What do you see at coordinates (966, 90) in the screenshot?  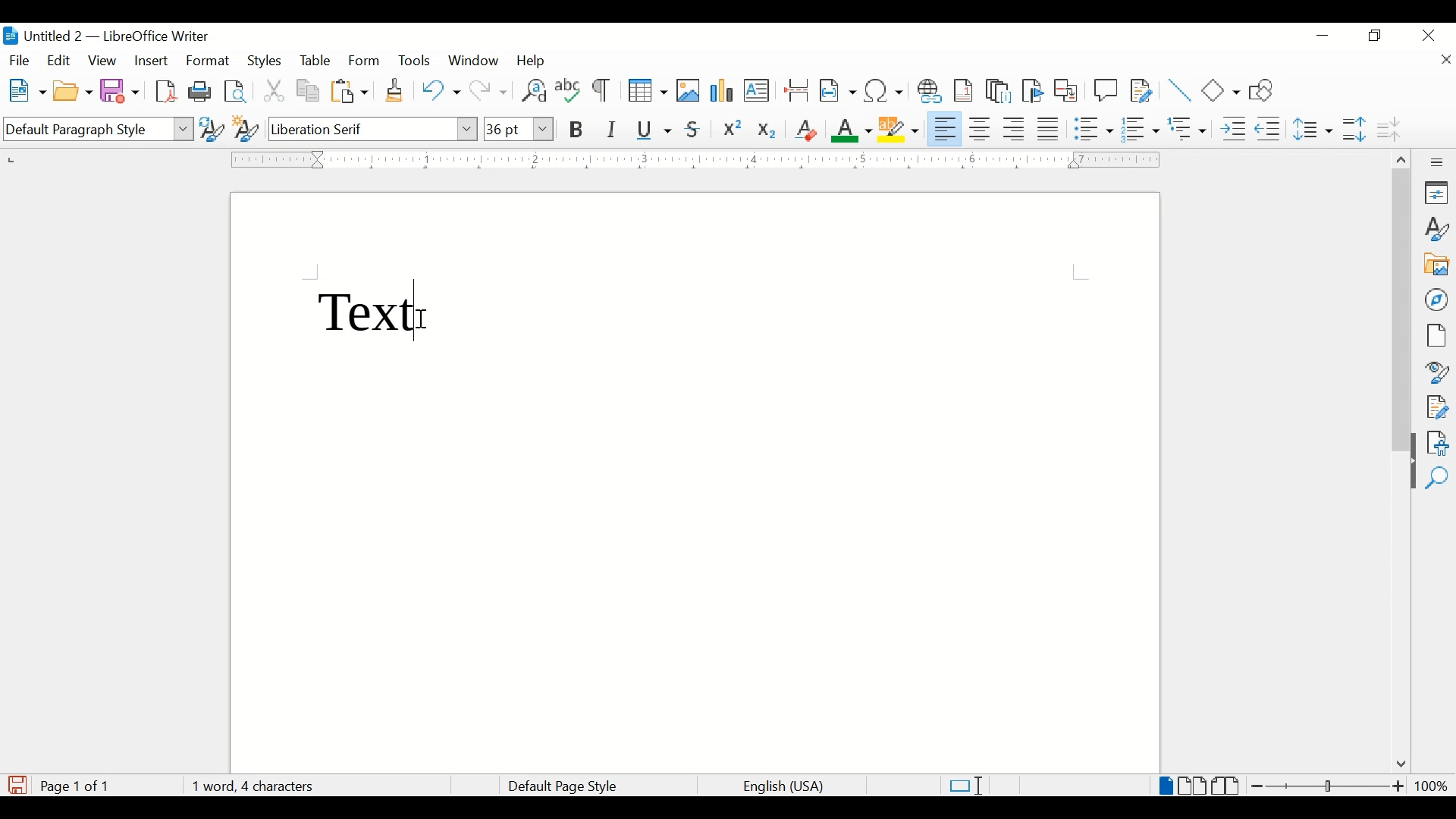 I see `insert footnote` at bounding box center [966, 90].